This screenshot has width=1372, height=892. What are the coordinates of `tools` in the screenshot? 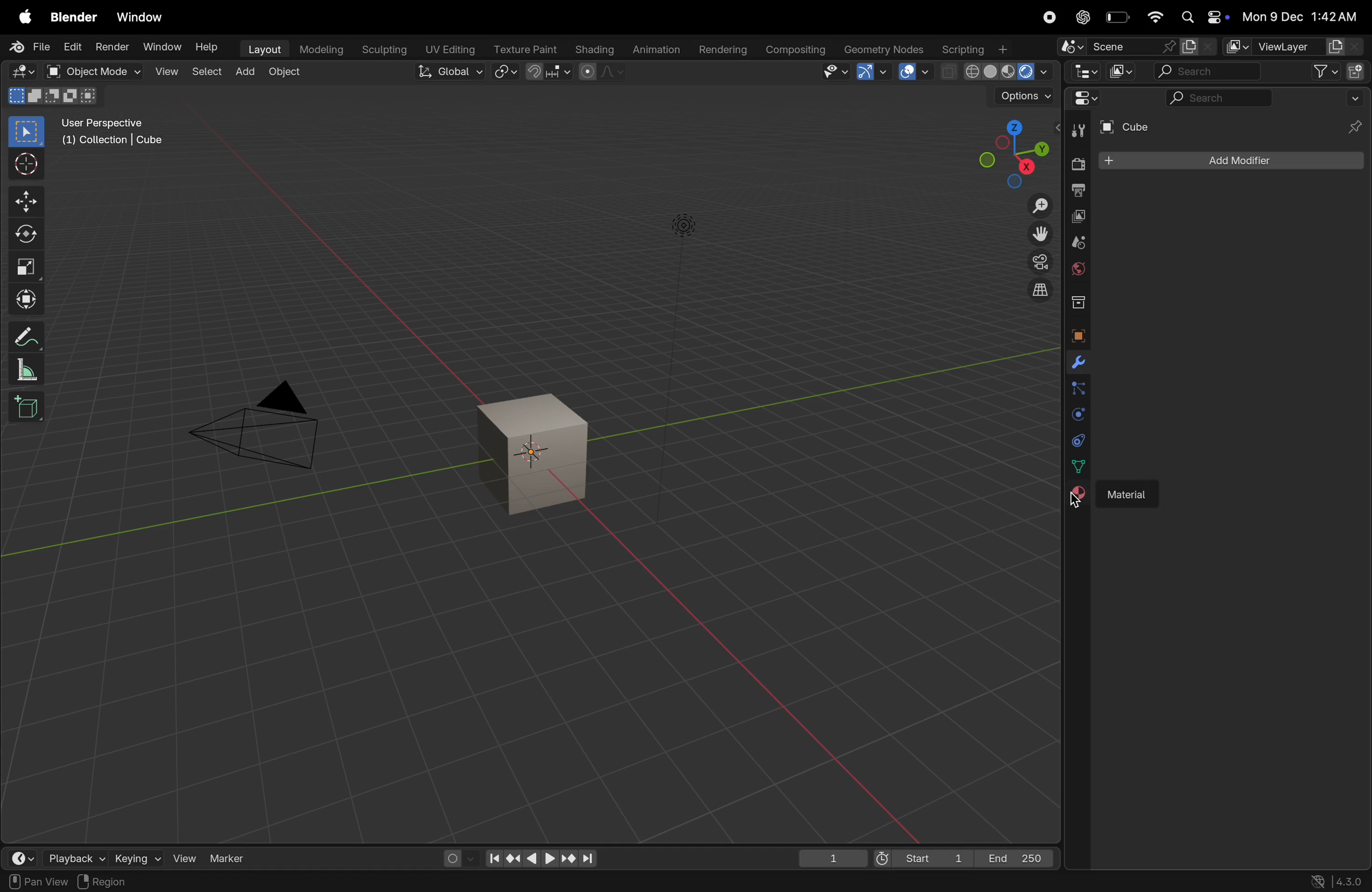 It's located at (1077, 129).